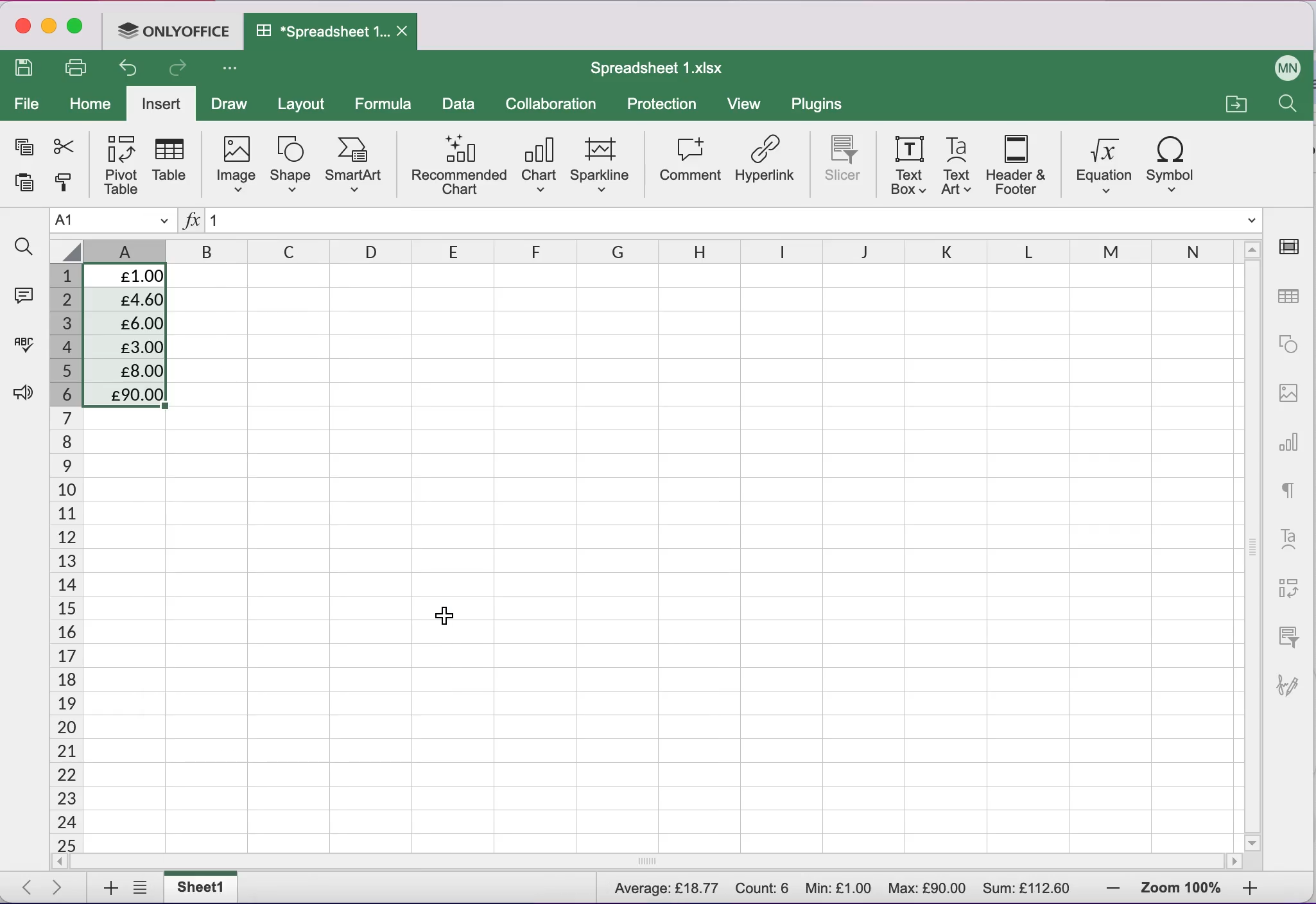  Describe the element at coordinates (231, 103) in the screenshot. I see `draw` at that location.